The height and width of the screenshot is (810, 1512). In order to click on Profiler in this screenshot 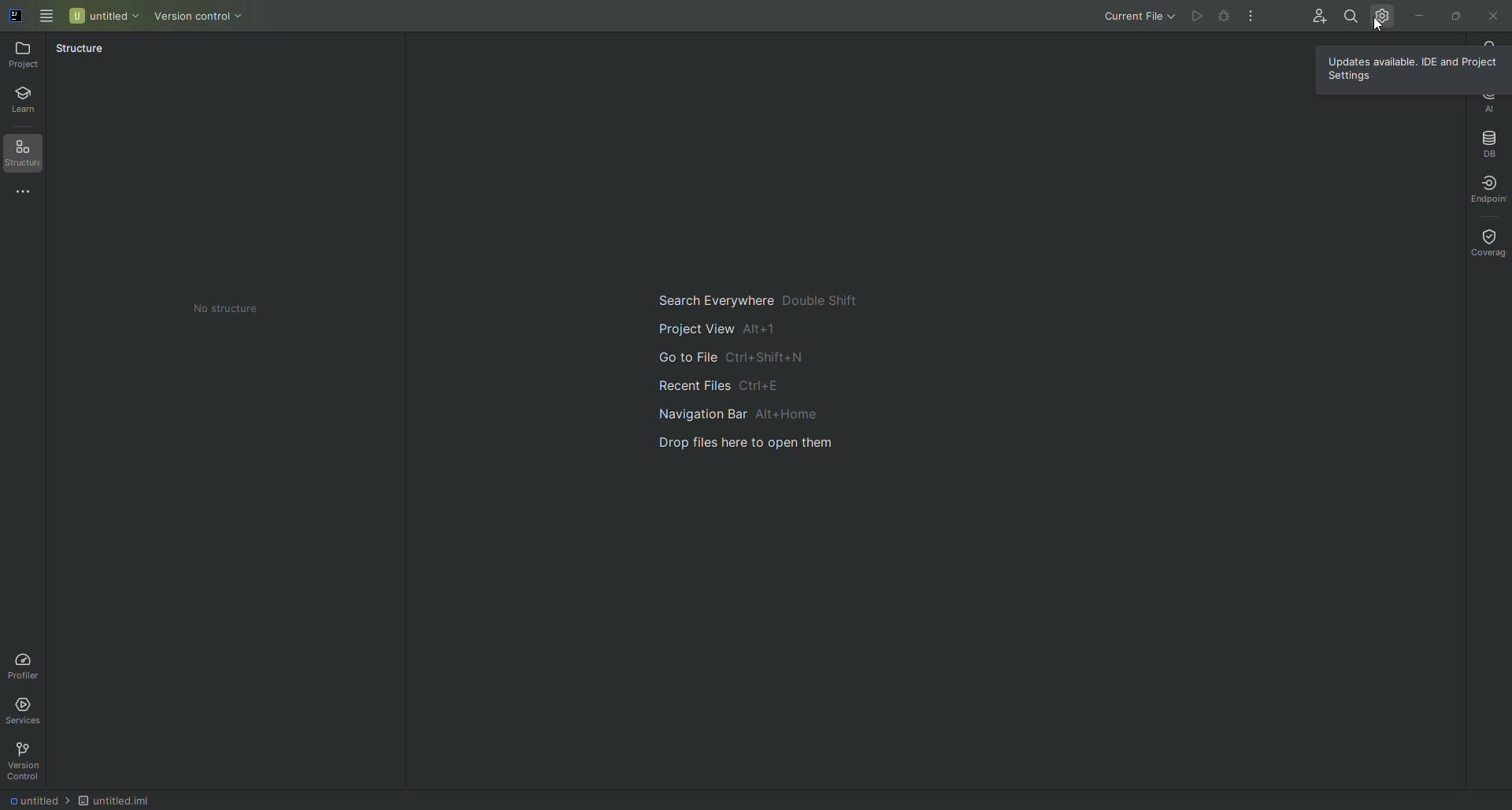, I will do `click(24, 663)`.